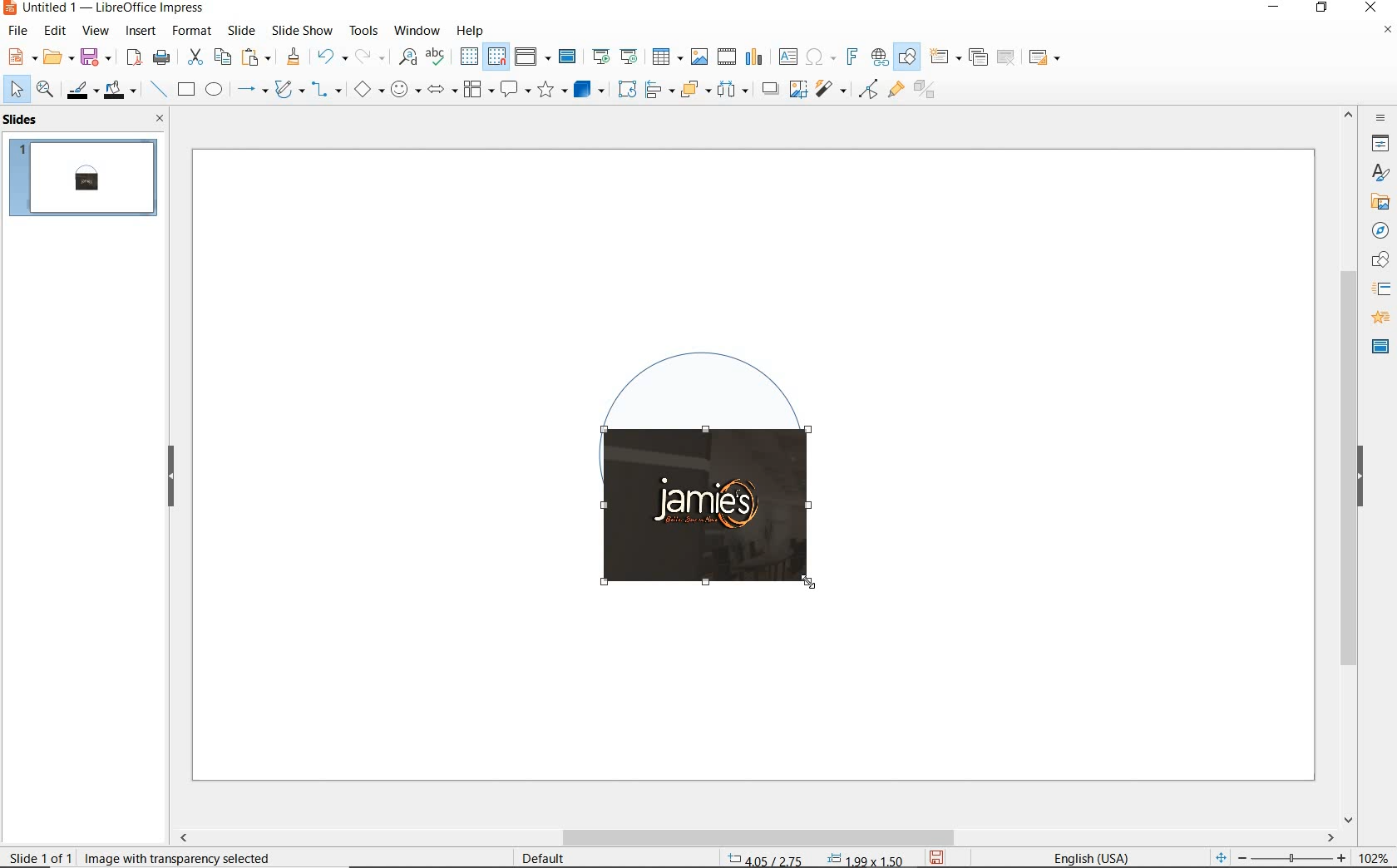 The width and height of the screenshot is (1397, 868). Describe the element at coordinates (545, 858) in the screenshot. I see `Default` at that location.